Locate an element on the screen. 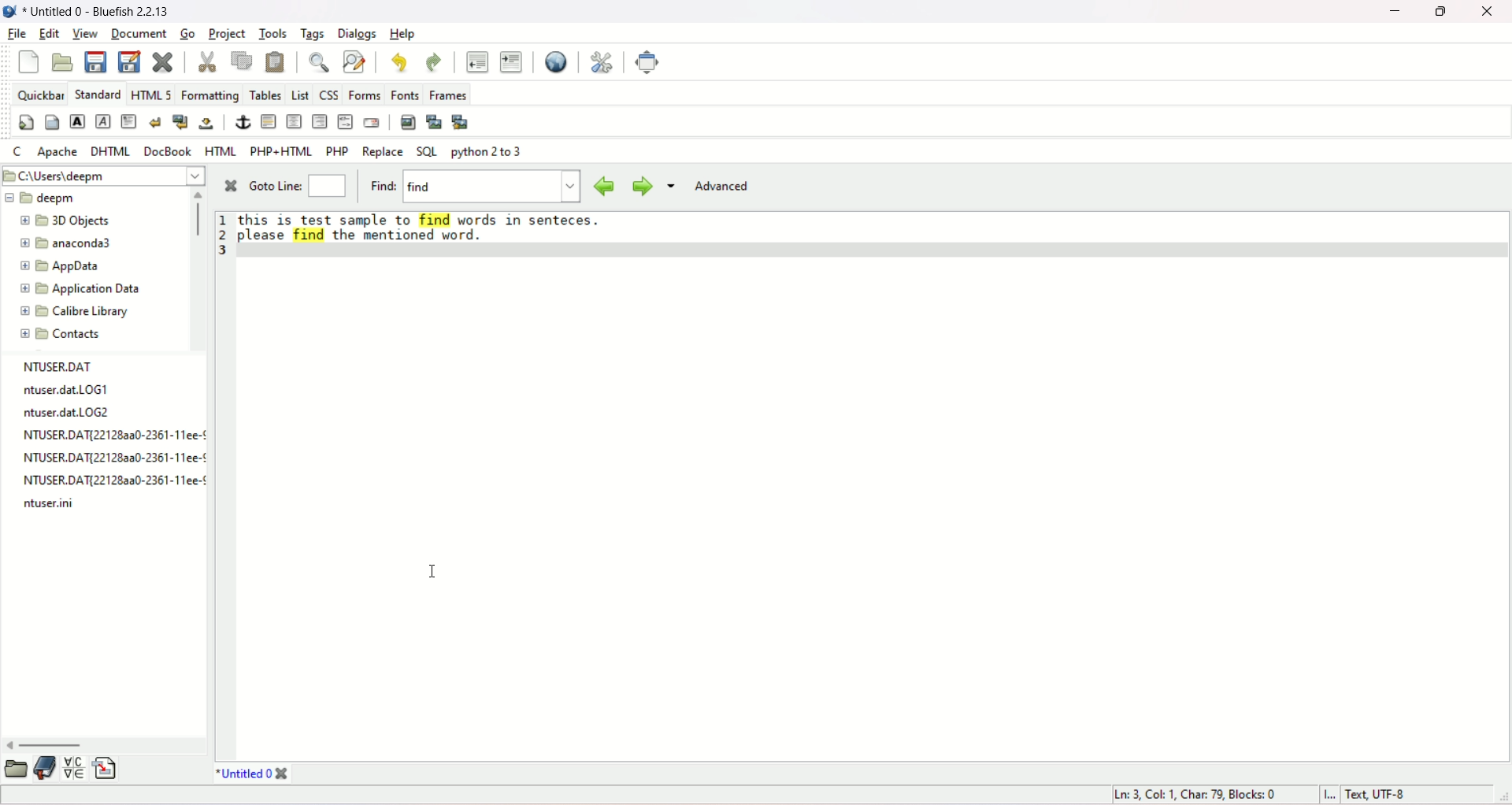 Image resolution: width=1512 pixels, height=805 pixels. quickbar is located at coordinates (42, 95).